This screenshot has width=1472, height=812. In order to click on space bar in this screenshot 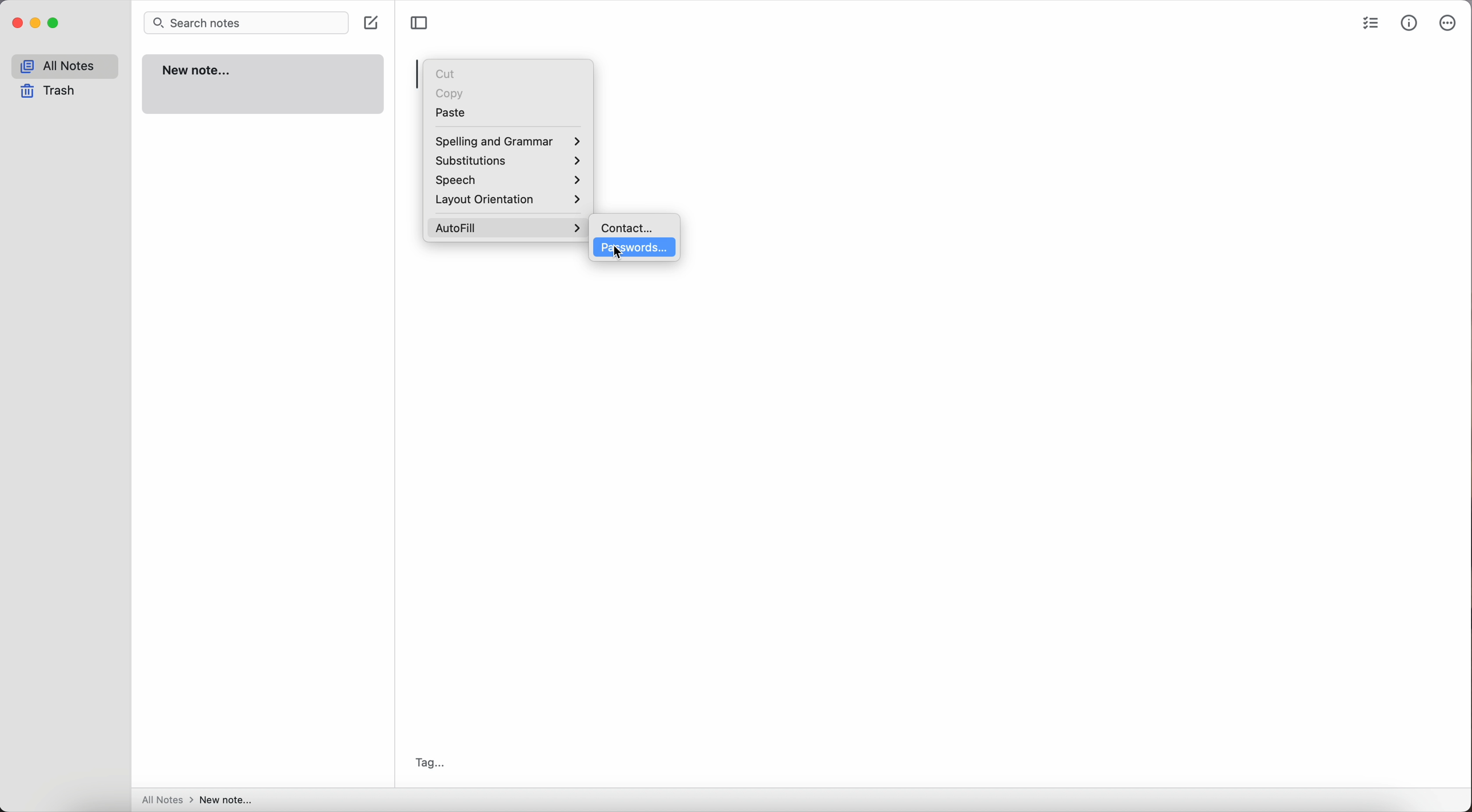, I will do `click(417, 74)`.